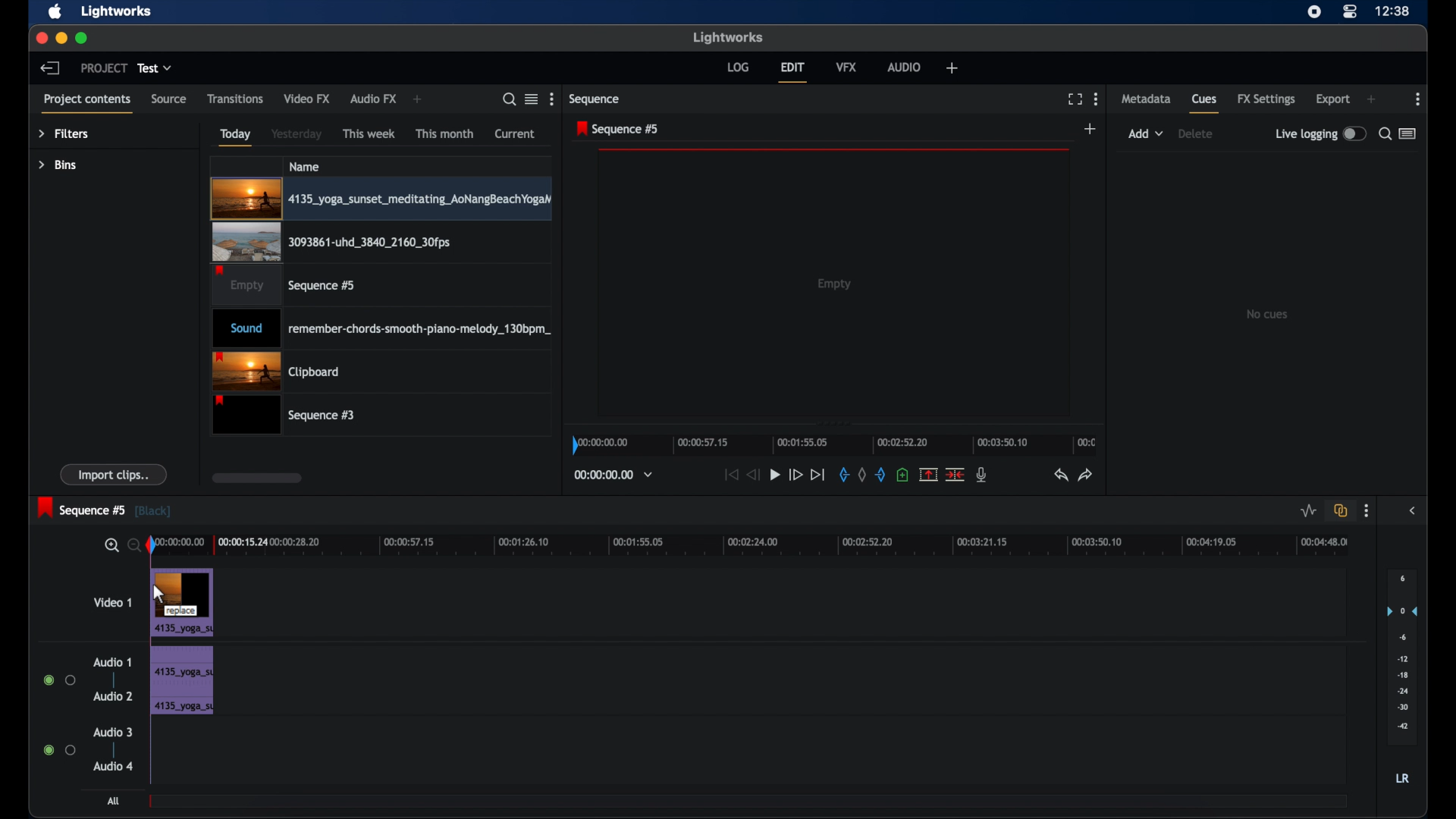 The width and height of the screenshot is (1456, 819). Describe the element at coordinates (63, 134) in the screenshot. I see `filters` at that location.